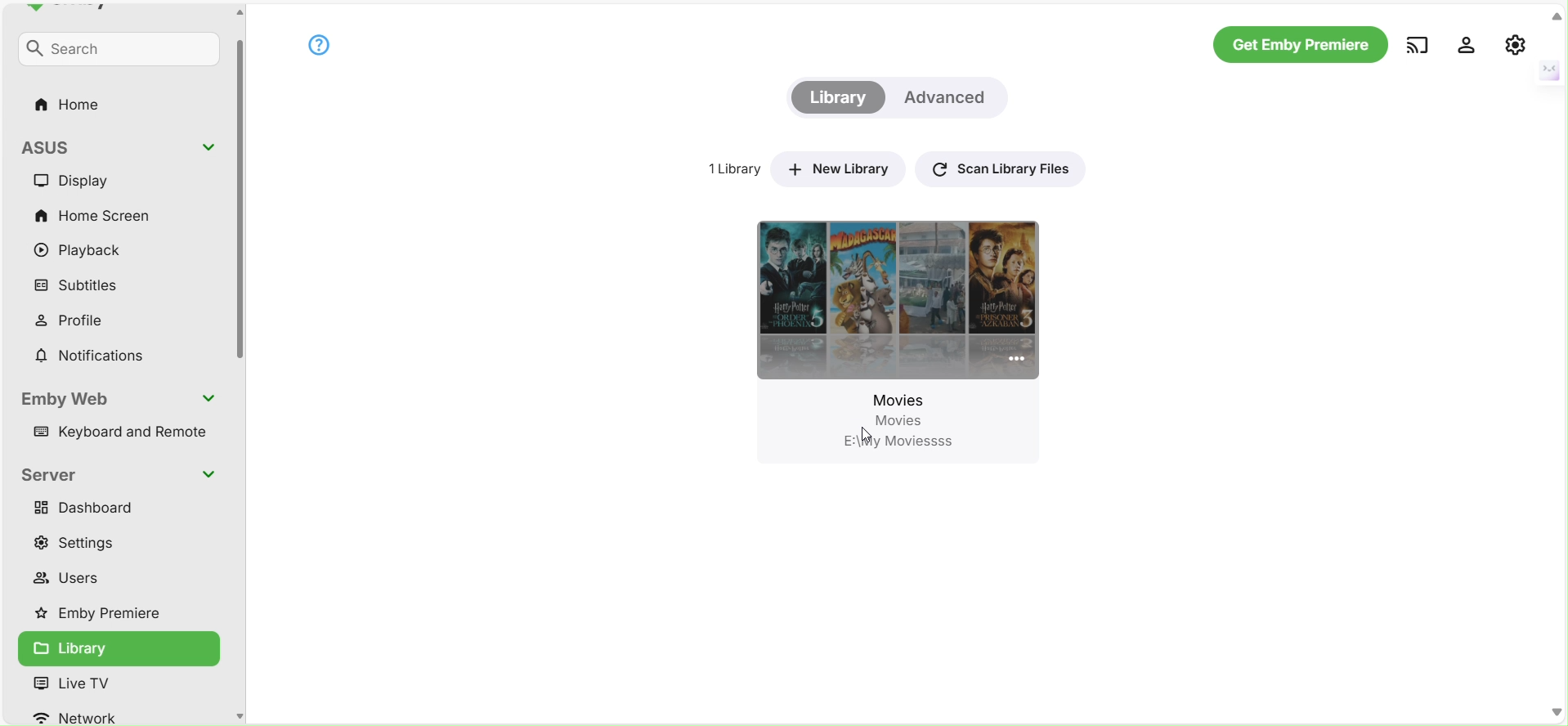 This screenshot has width=1568, height=726. I want to click on Search Bar, so click(113, 52).